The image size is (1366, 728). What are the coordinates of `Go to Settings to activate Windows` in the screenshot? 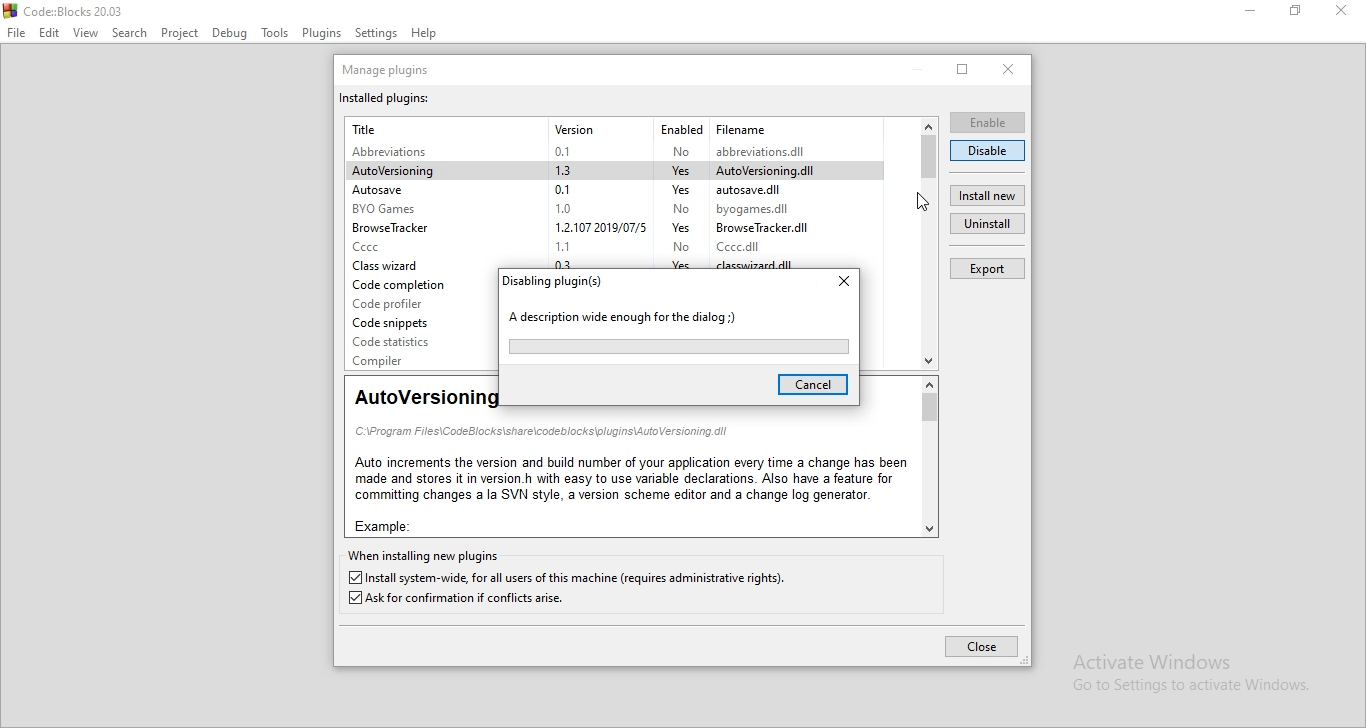 It's located at (1182, 686).